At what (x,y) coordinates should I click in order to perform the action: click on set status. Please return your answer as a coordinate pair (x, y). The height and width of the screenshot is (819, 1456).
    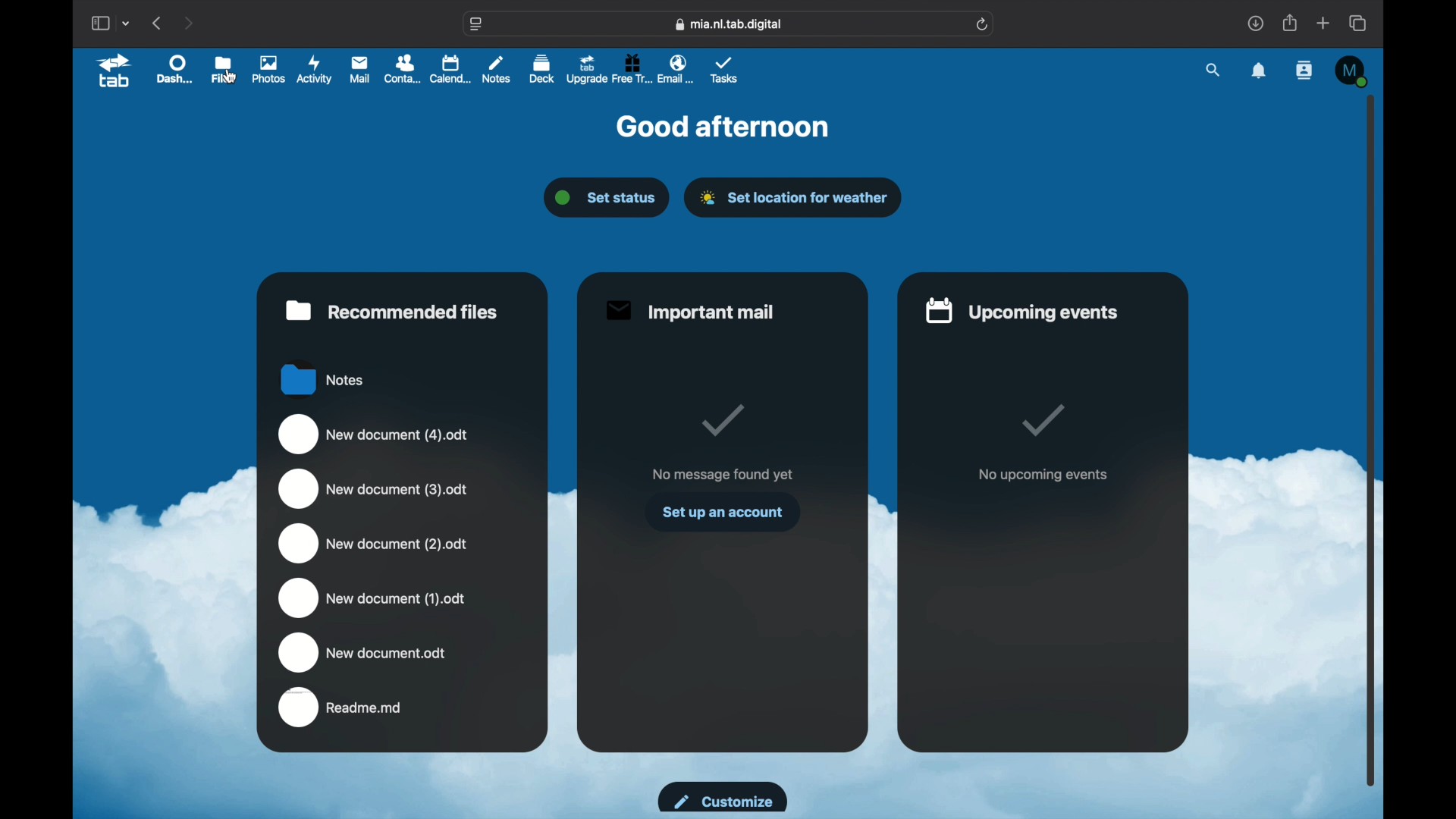
    Looking at the image, I should click on (604, 197).